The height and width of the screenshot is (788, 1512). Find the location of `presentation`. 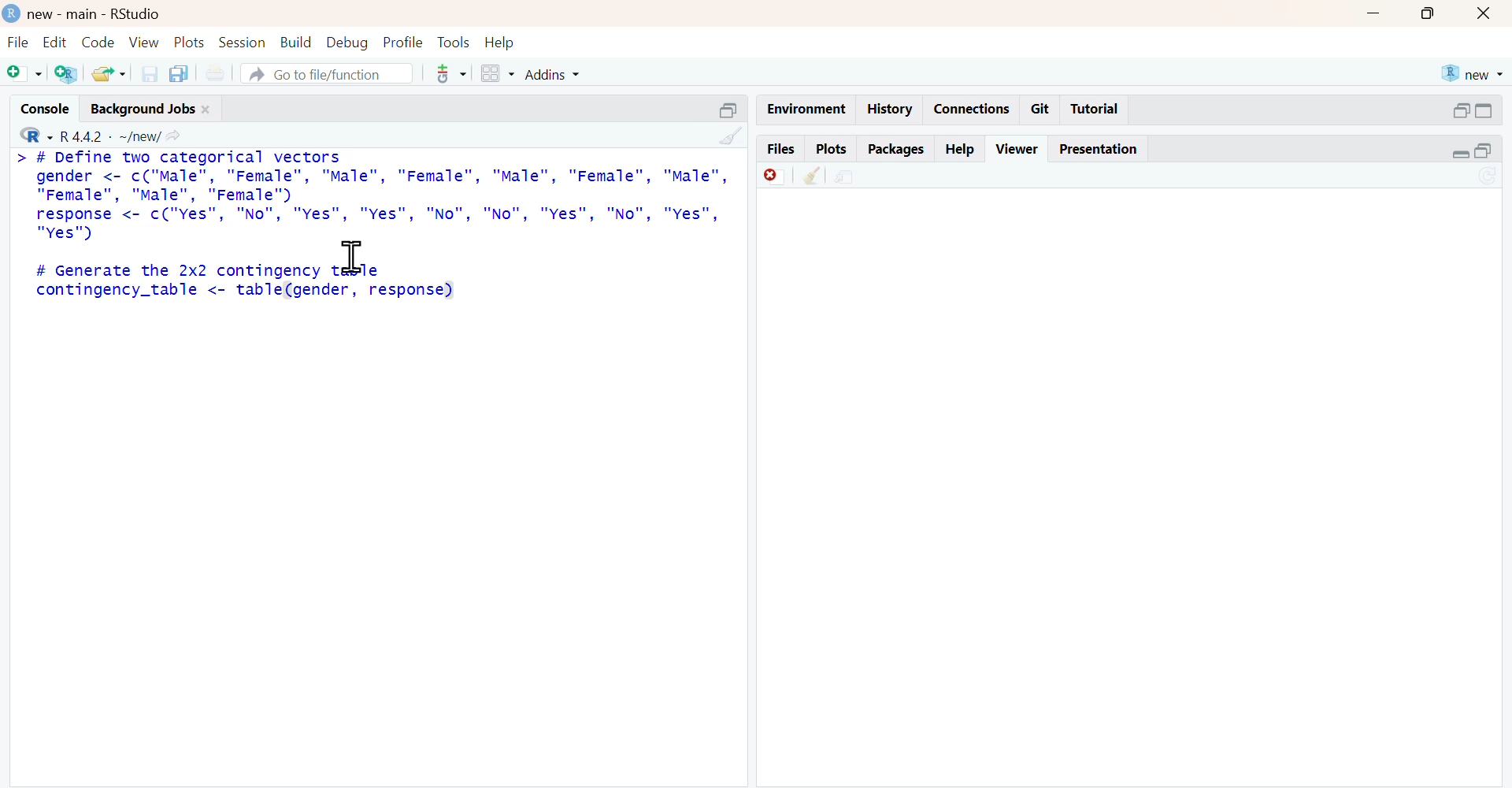

presentation is located at coordinates (1102, 151).